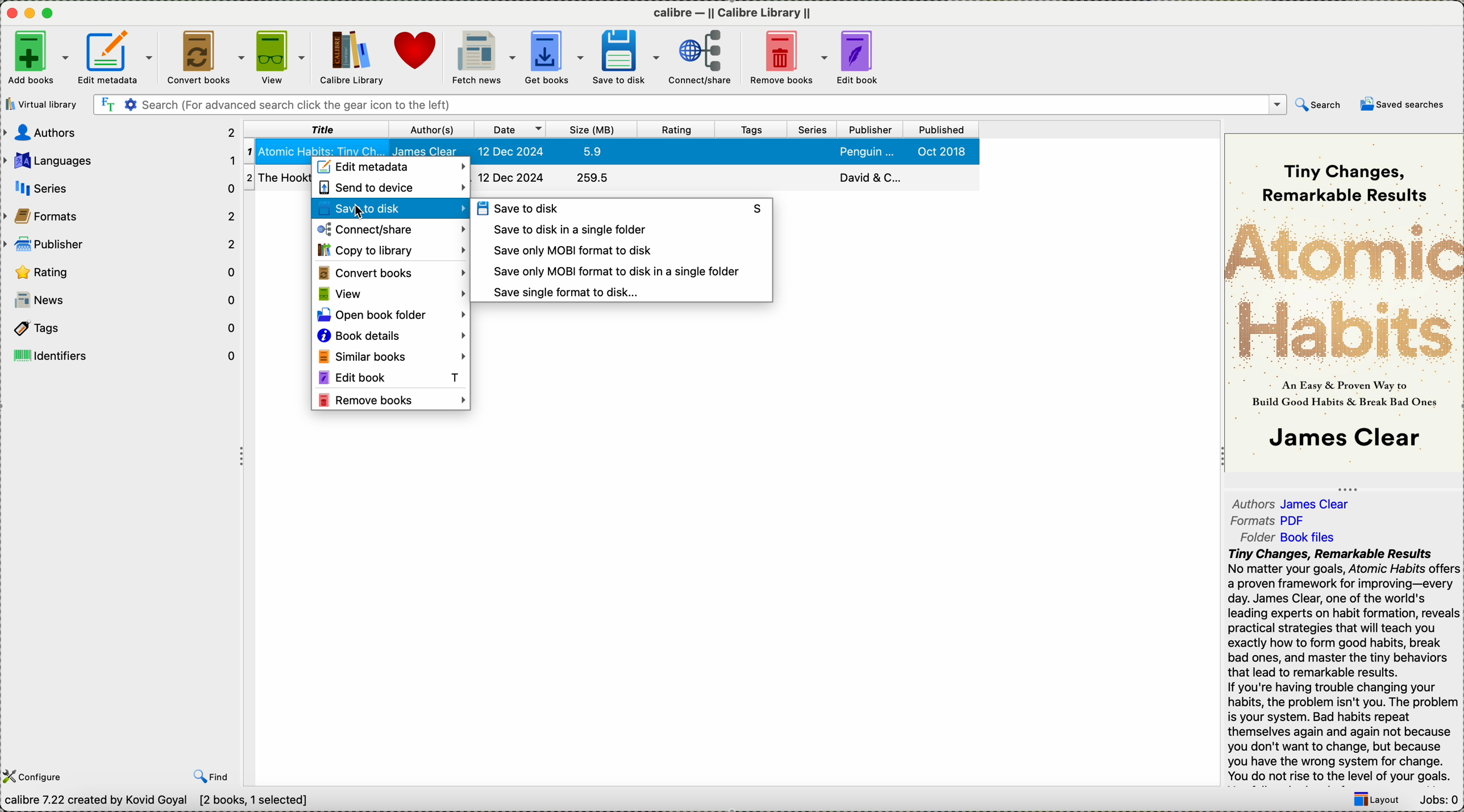  Describe the element at coordinates (36, 776) in the screenshot. I see `configure` at that location.